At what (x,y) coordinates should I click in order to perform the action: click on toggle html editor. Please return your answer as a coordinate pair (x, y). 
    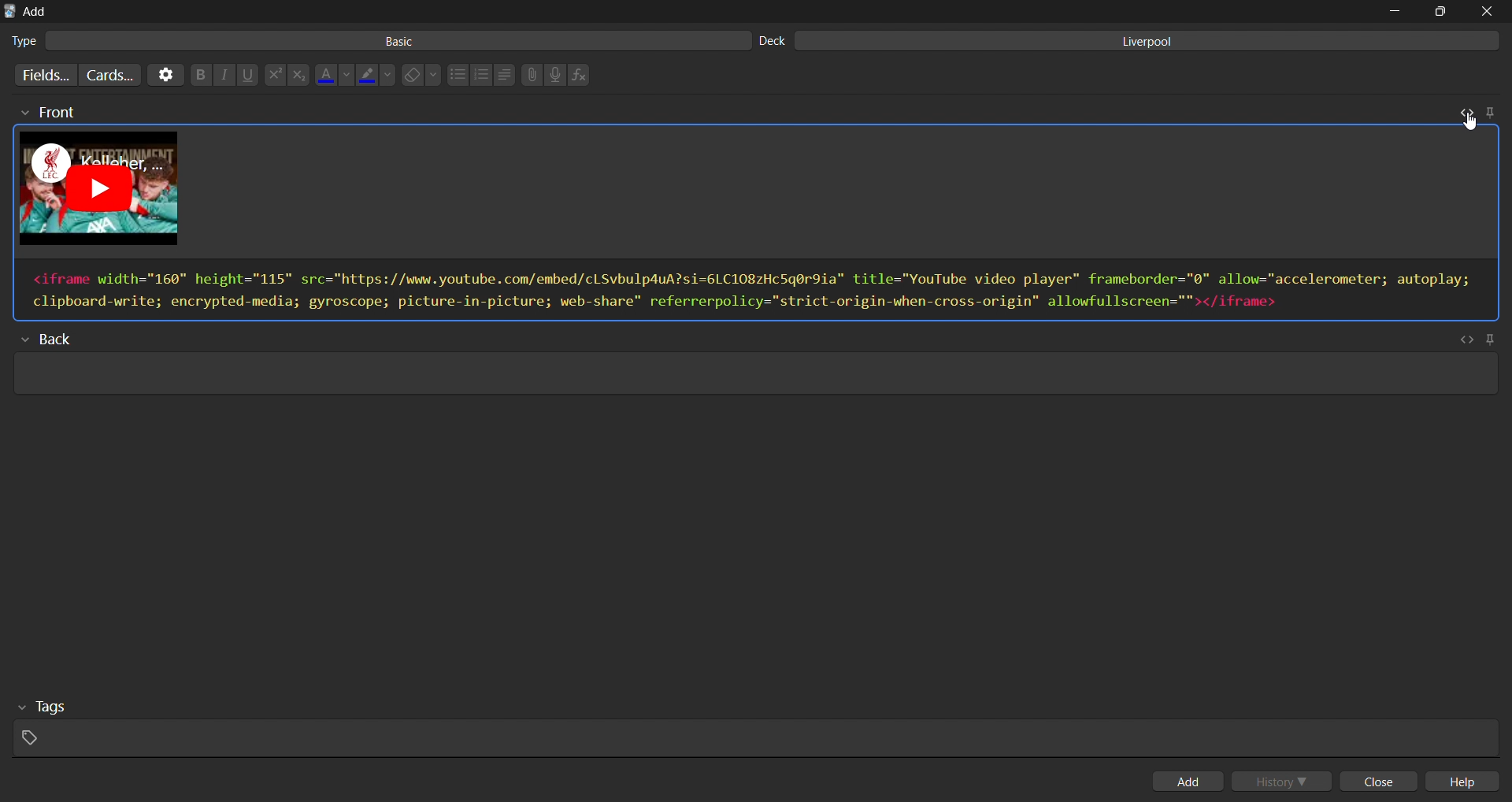
    Looking at the image, I should click on (1463, 111).